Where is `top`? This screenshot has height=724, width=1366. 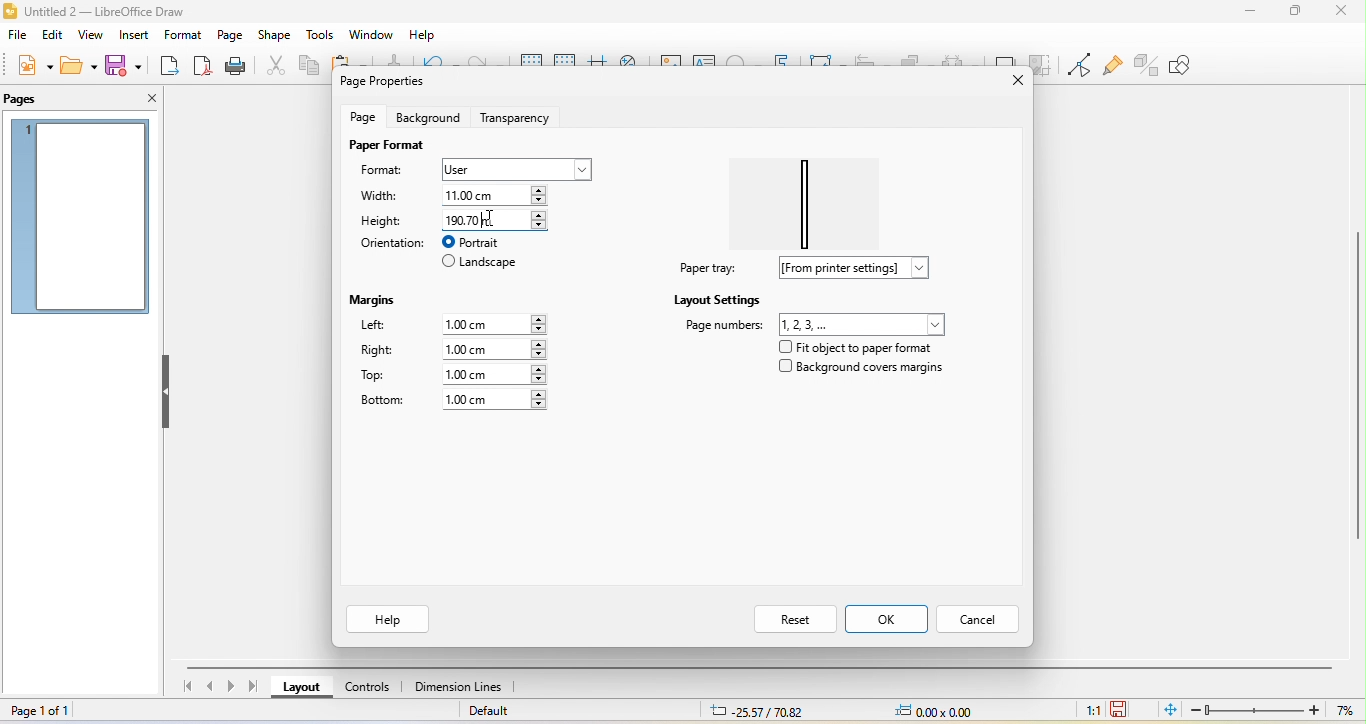 top is located at coordinates (382, 376).